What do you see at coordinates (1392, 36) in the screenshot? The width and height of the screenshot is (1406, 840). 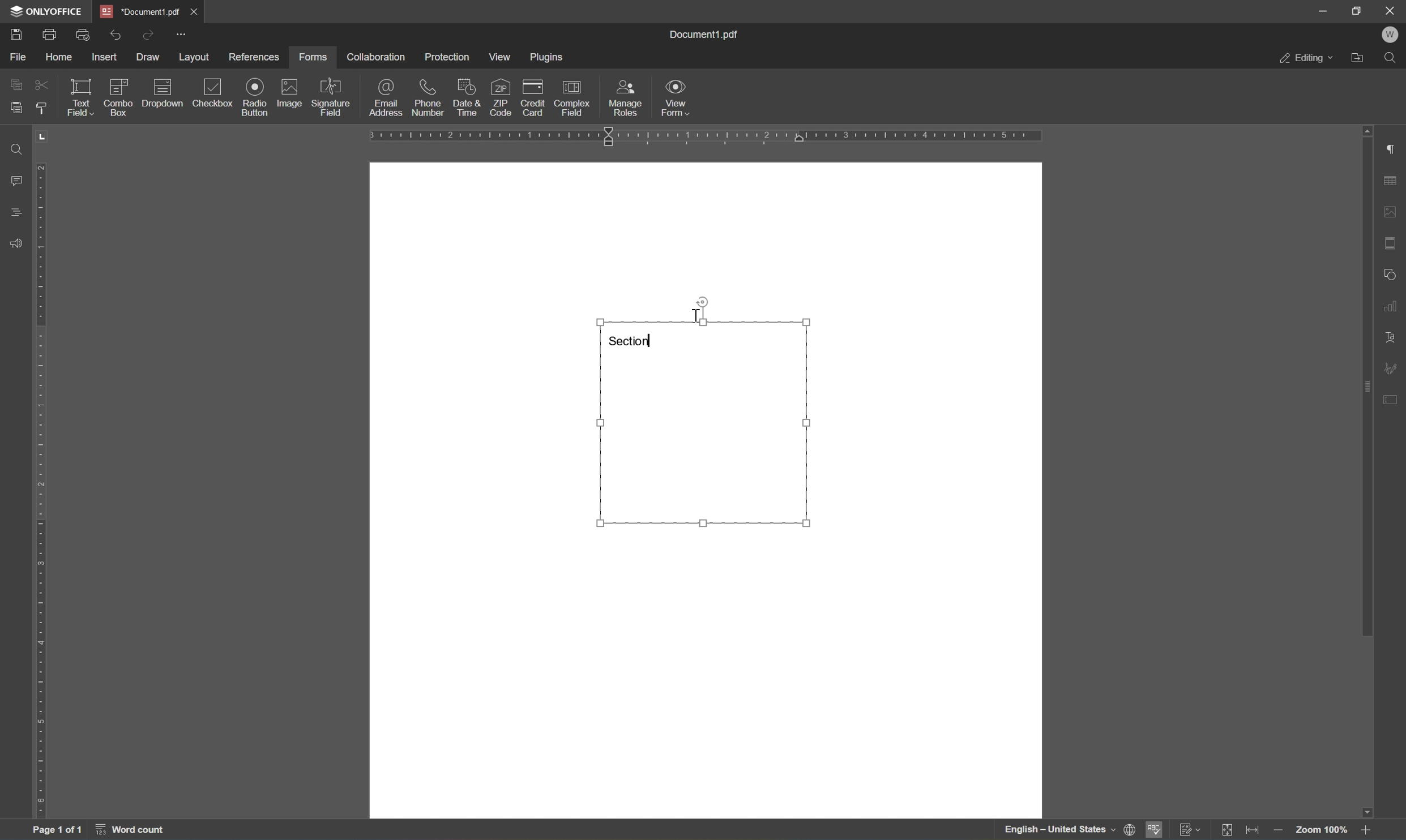 I see `W` at bounding box center [1392, 36].